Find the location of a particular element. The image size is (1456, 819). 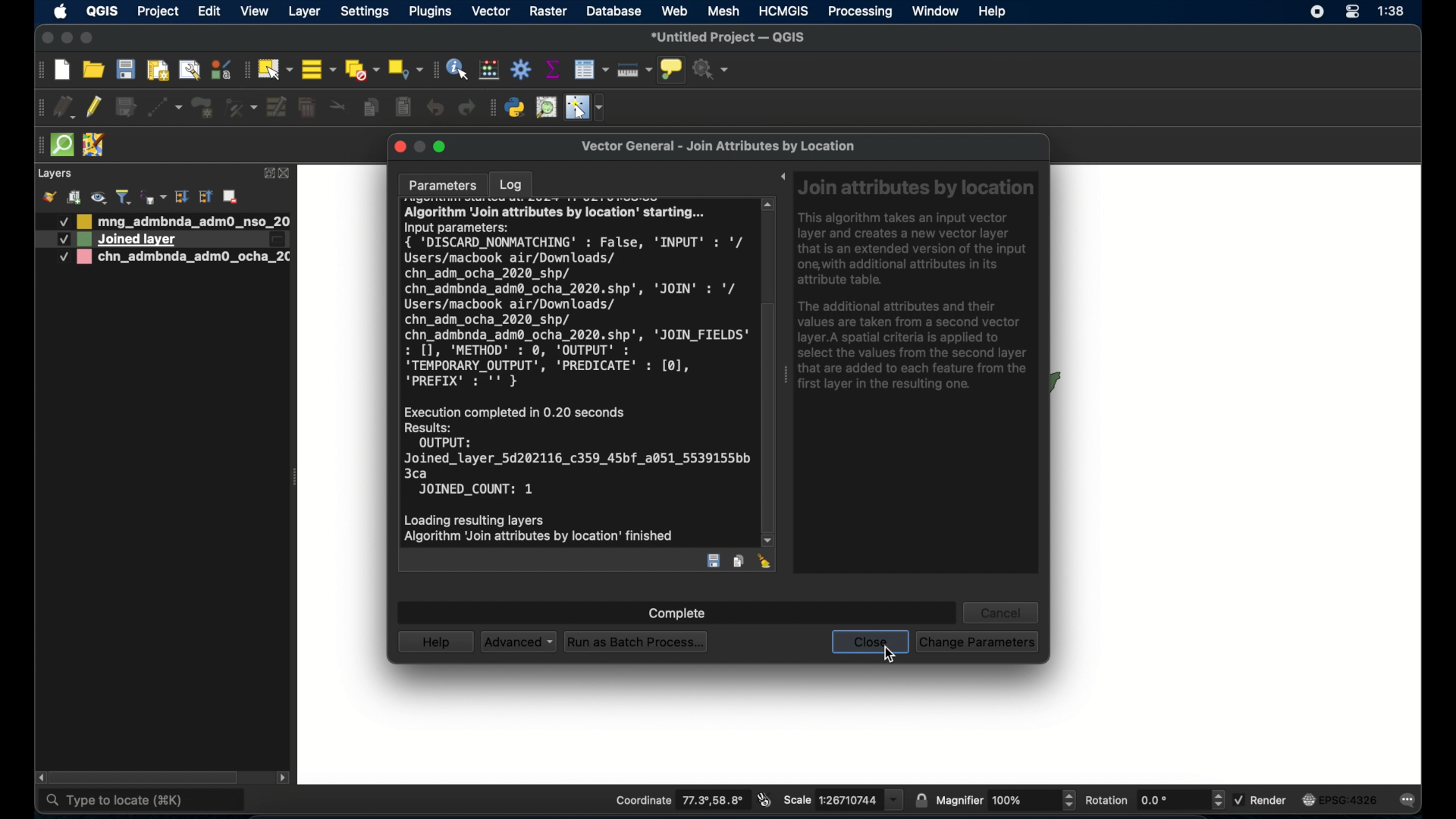

inactive minimize button is located at coordinates (419, 148).